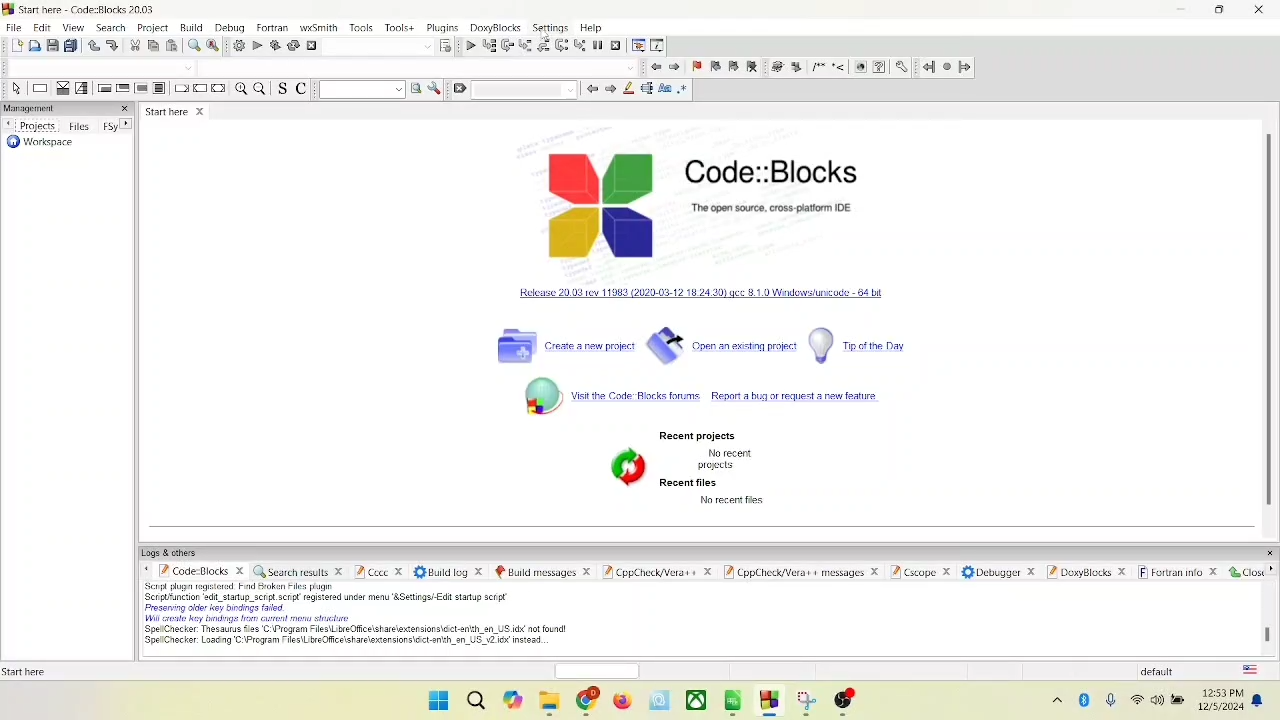 This screenshot has height=720, width=1280. I want to click on clear, so click(456, 91).